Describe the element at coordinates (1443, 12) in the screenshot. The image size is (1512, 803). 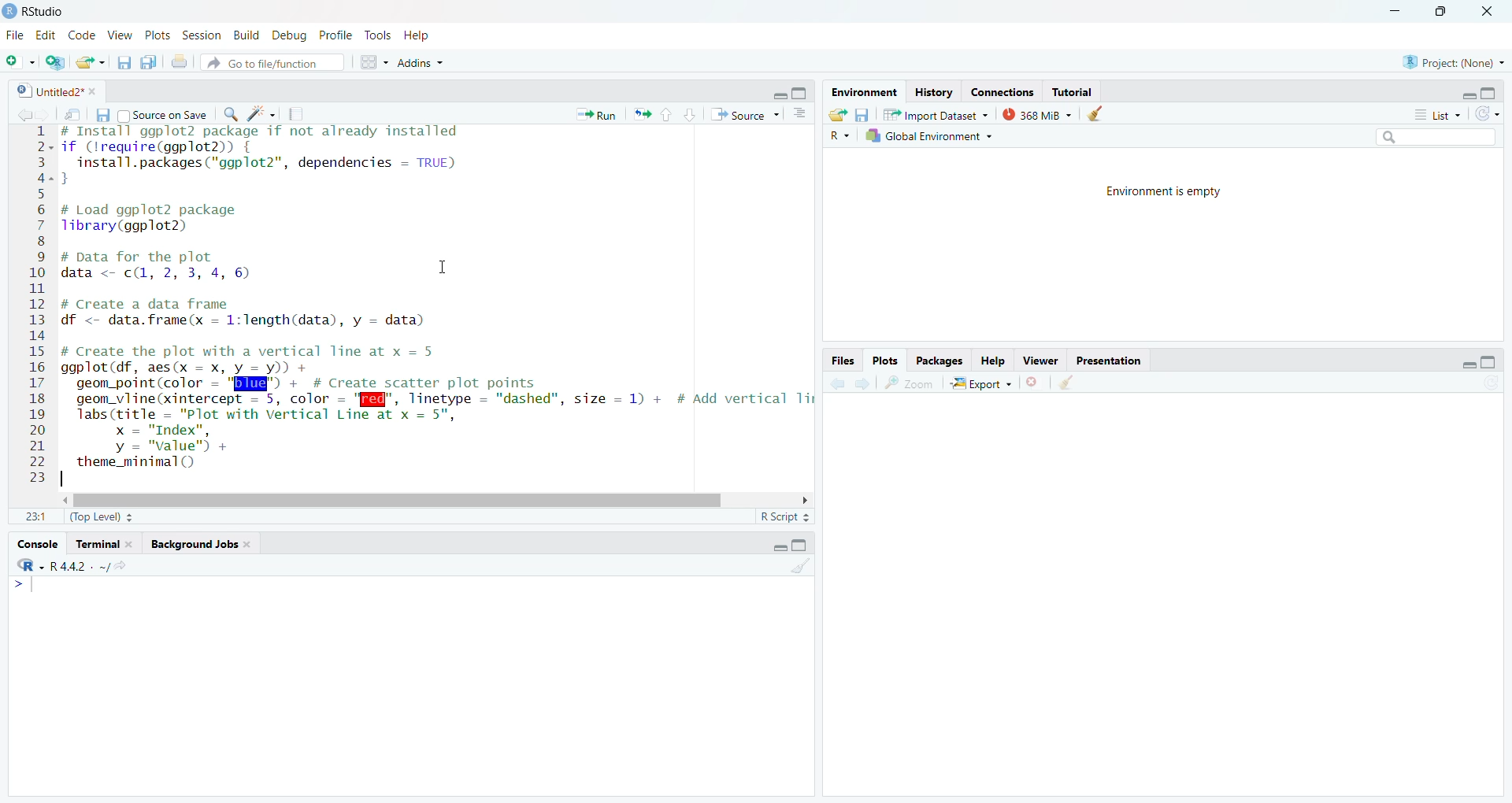
I see `maximise` at that location.